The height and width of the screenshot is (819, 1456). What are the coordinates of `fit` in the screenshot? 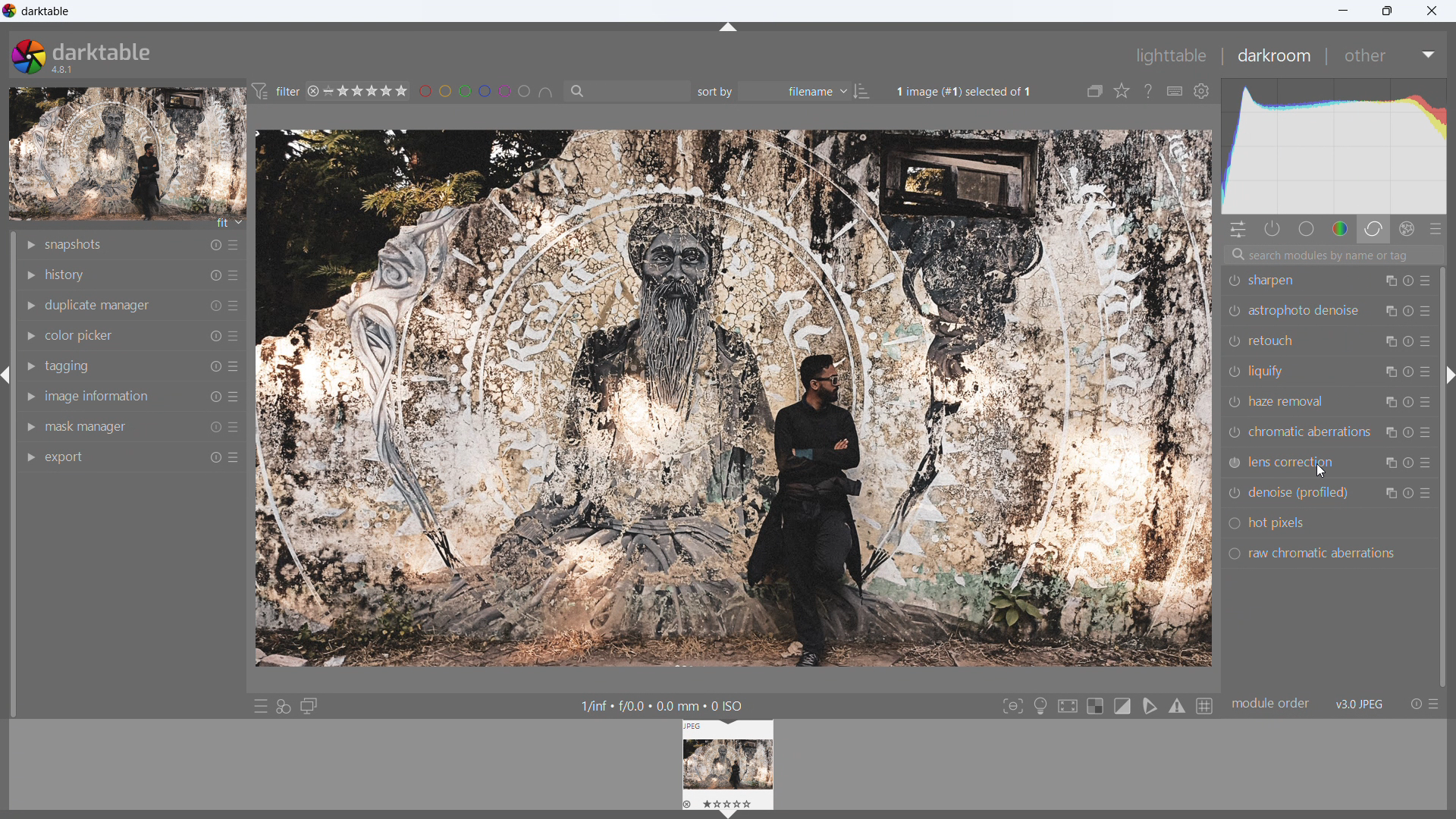 It's located at (227, 223).